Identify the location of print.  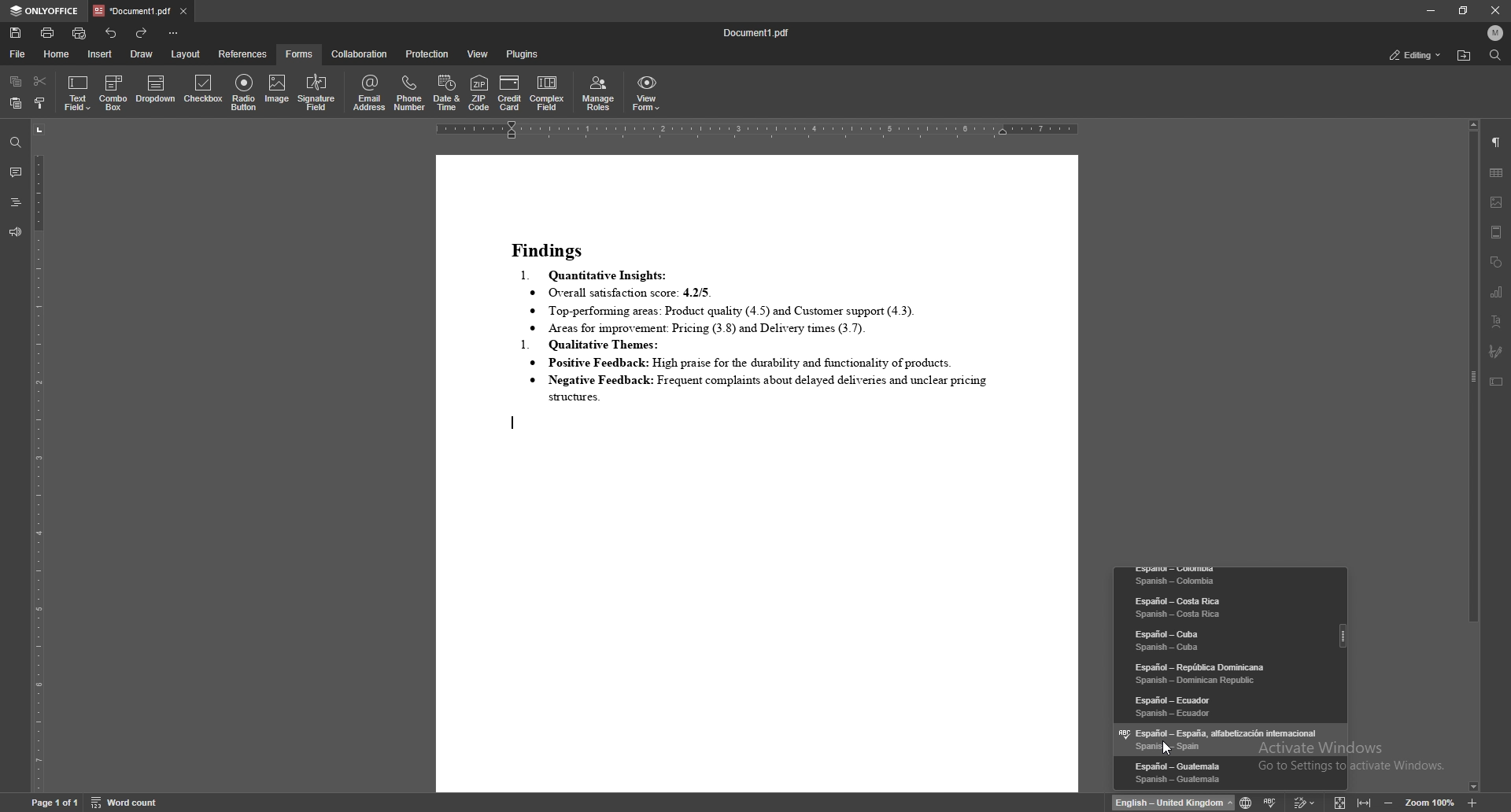
(48, 32).